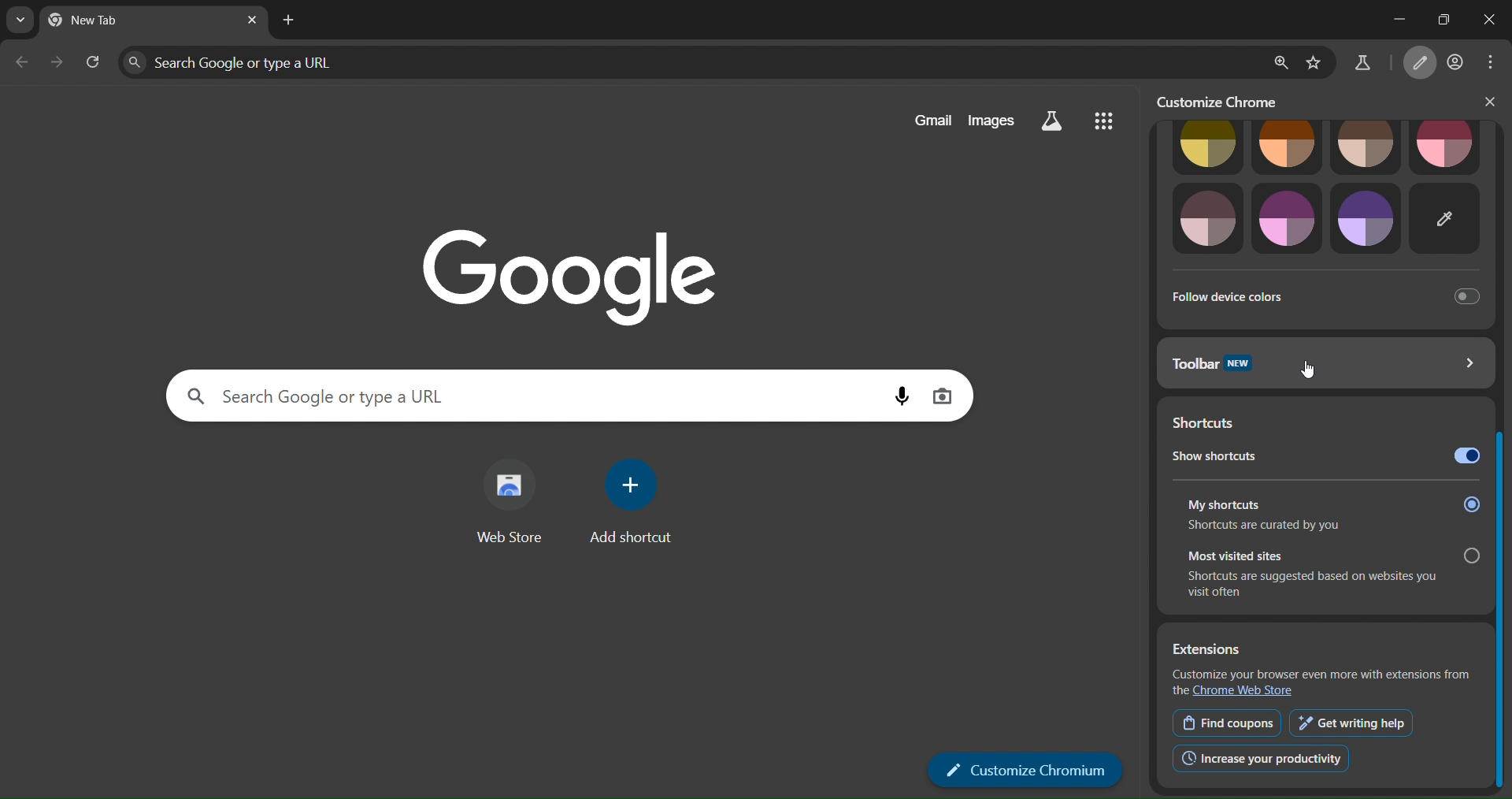  Describe the element at coordinates (1369, 217) in the screenshot. I see `theme` at that location.